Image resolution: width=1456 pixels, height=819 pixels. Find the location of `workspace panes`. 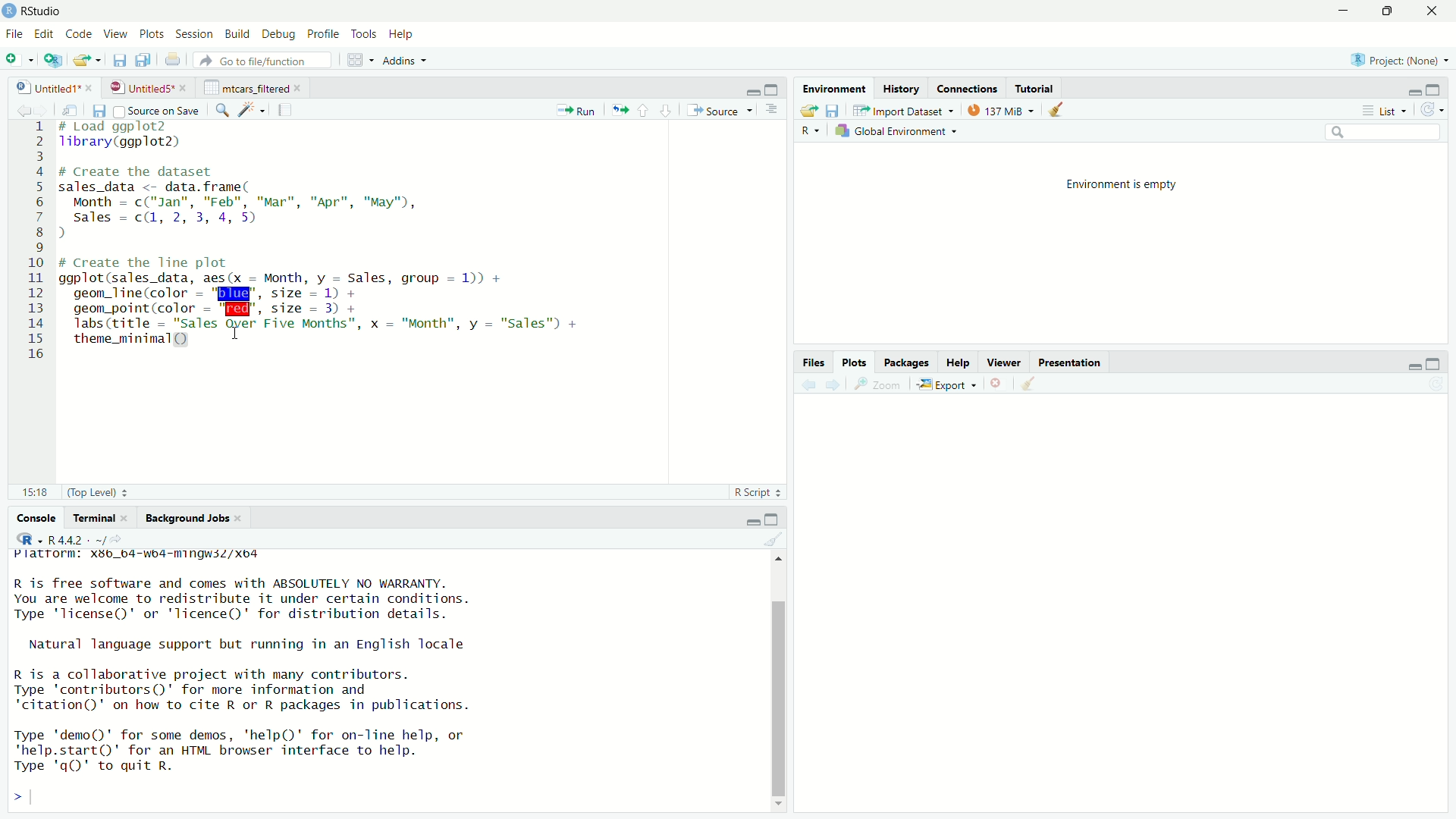

workspace panes is located at coordinates (356, 60).